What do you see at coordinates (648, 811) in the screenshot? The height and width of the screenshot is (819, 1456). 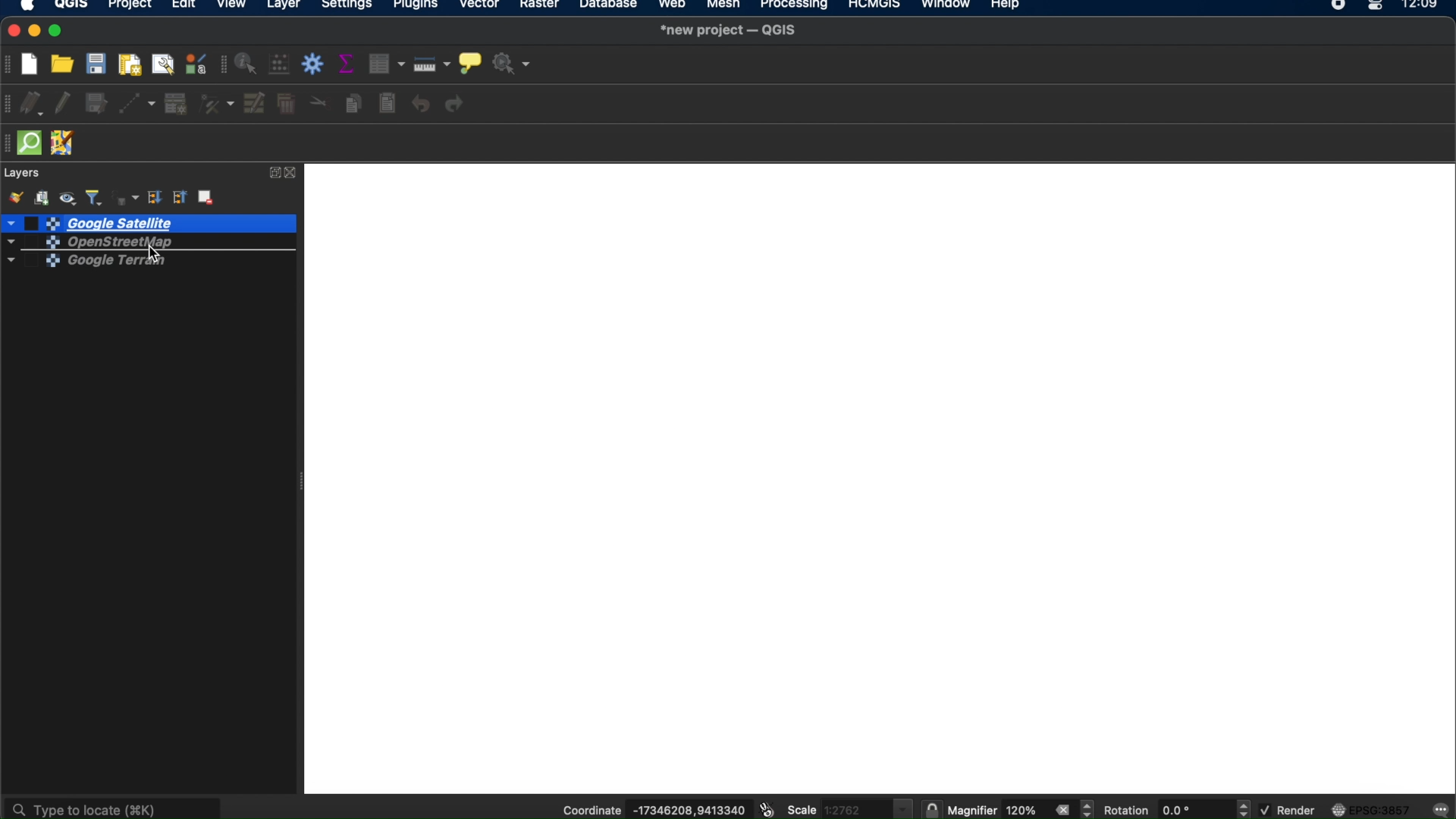 I see `coordinate -17346208,9413340` at bounding box center [648, 811].